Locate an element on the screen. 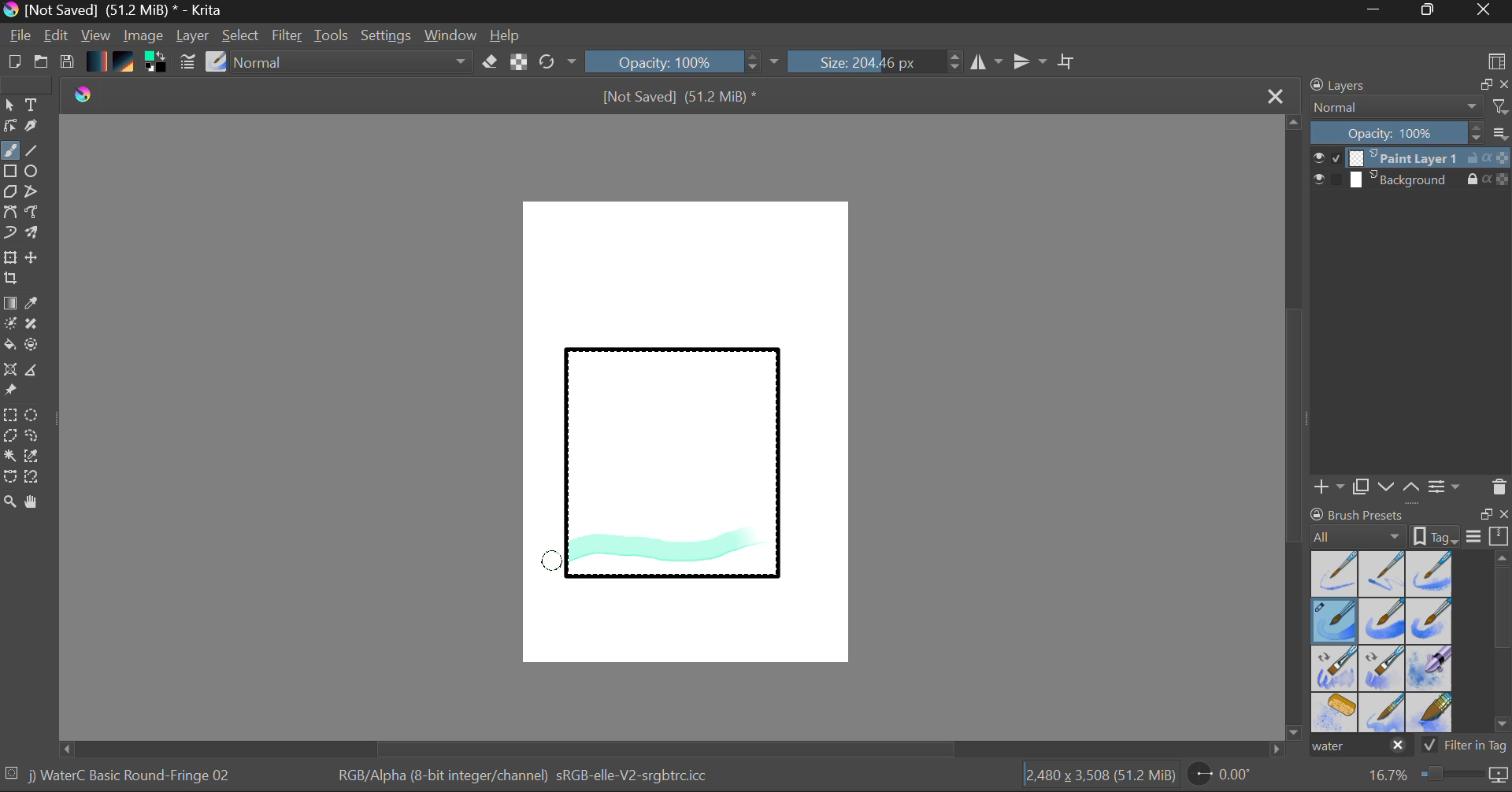  Brush Settings is located at coordinates (186, 63).